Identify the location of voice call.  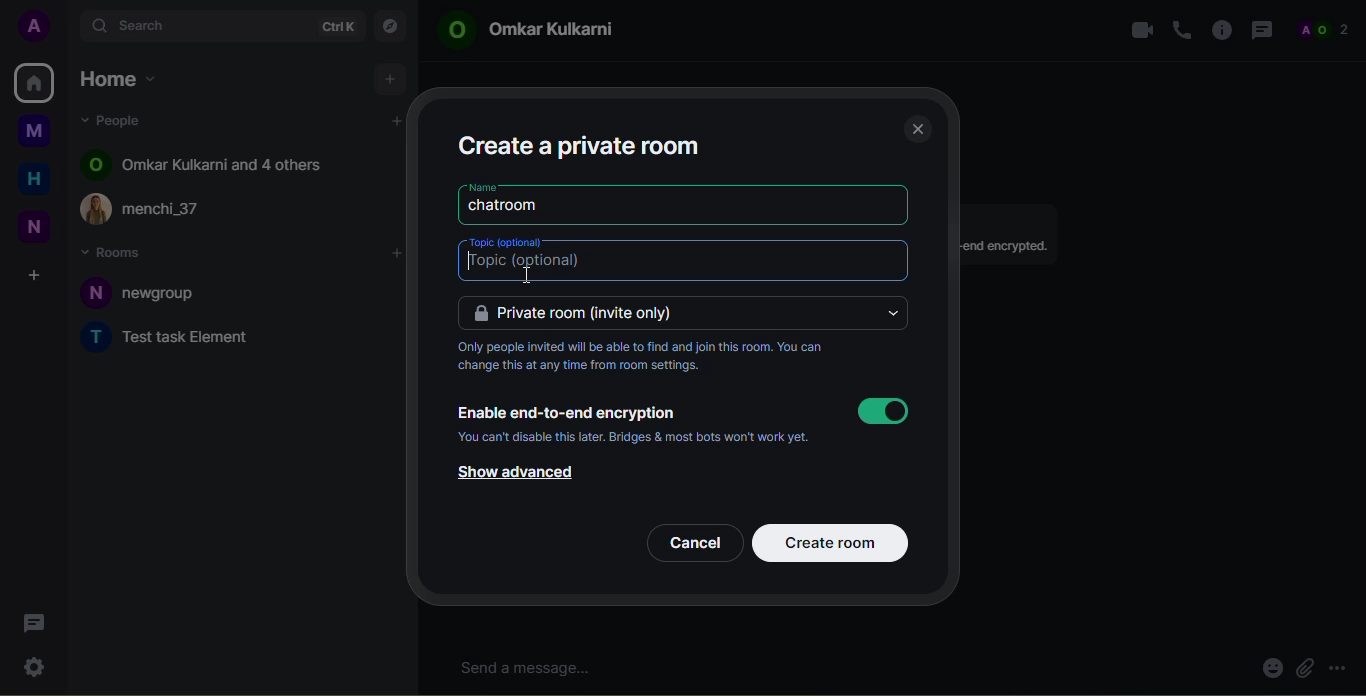
(1181, 30).